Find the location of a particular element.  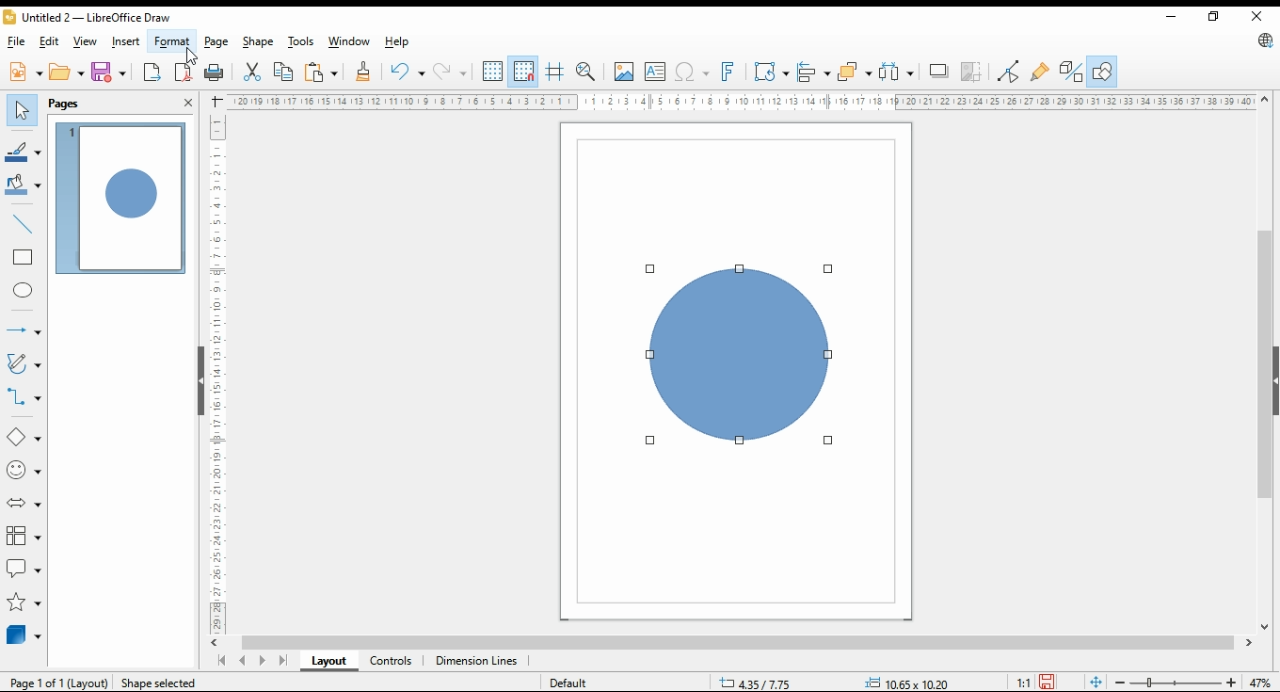

layout is located at coordinates (328, 661).